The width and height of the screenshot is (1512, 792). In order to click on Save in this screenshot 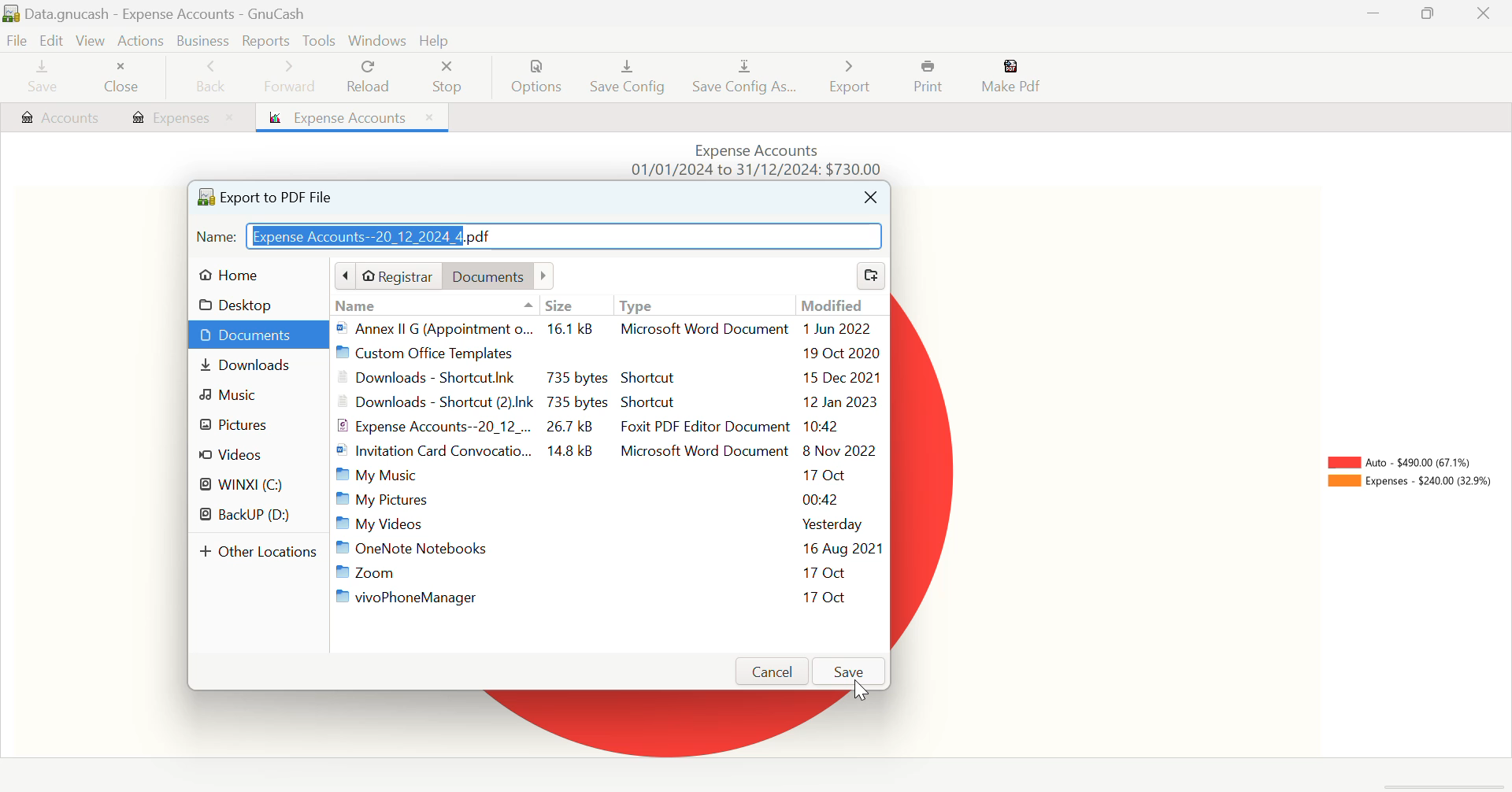, I will do `click(43, 77)`.